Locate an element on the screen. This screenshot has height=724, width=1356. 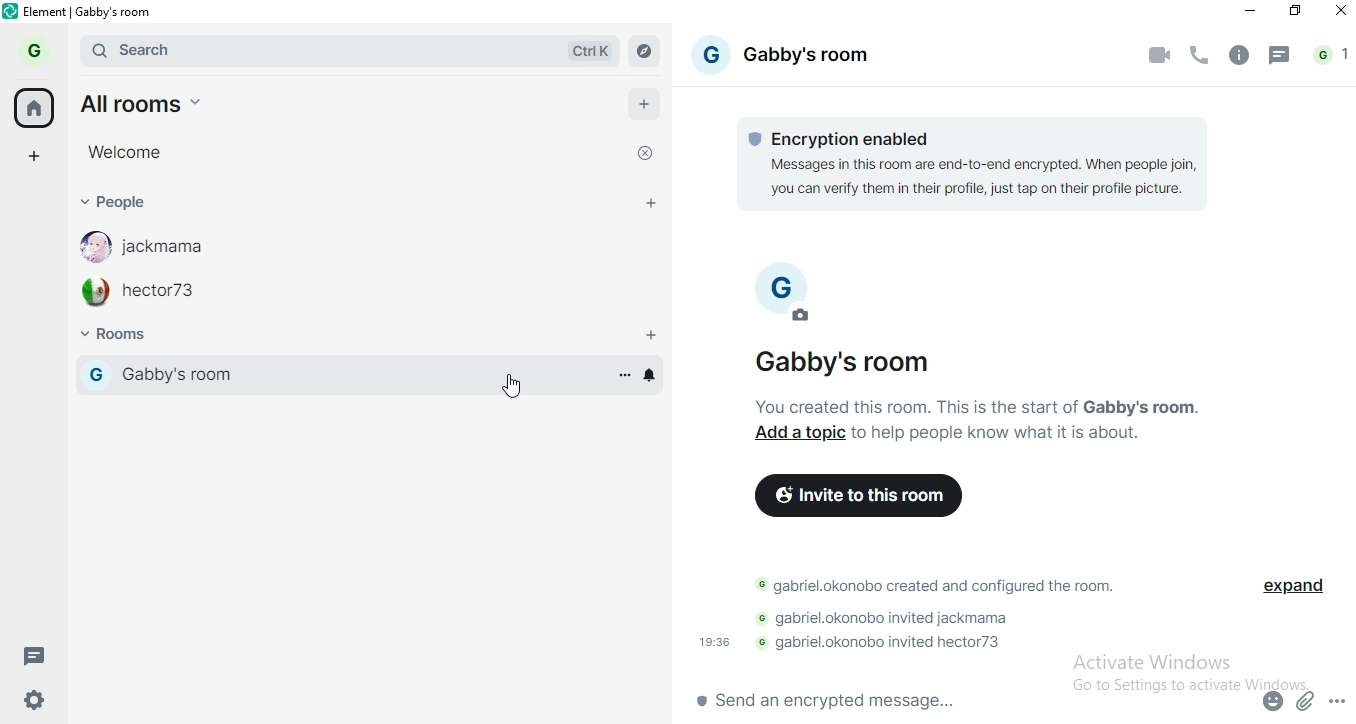
gabby's room is located at coordinates (791, 58).